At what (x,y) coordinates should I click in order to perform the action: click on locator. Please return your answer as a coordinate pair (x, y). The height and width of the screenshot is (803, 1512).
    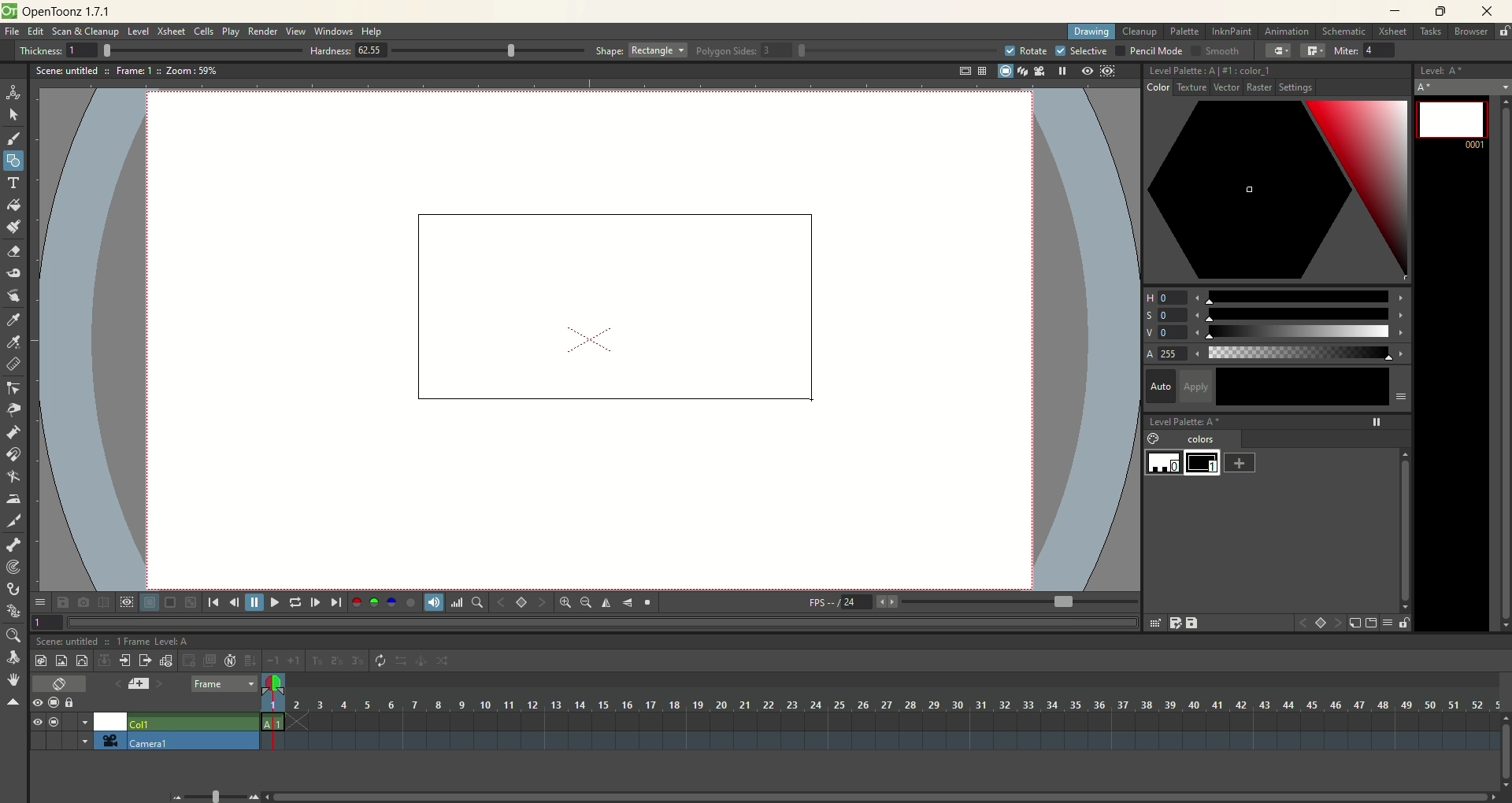
    Looking at the image, I should click on (476, 602).